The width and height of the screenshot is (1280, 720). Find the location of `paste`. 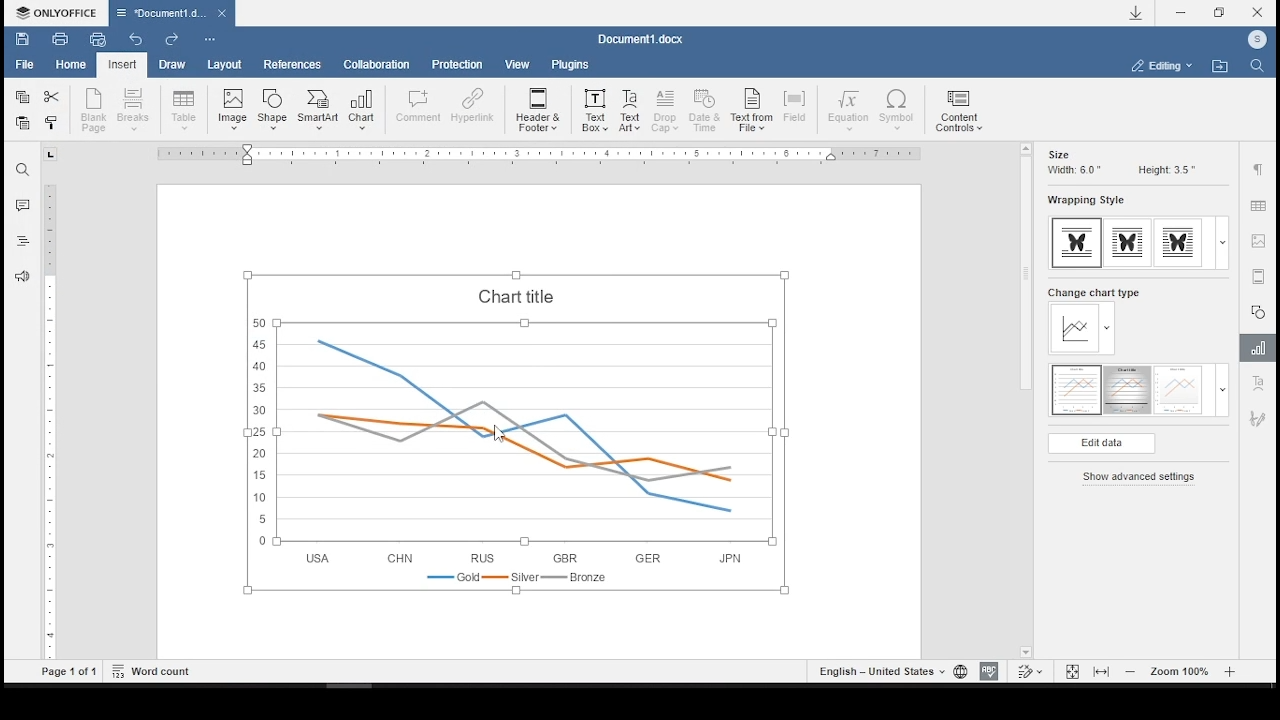

paste is located at coordinates (24, 124).